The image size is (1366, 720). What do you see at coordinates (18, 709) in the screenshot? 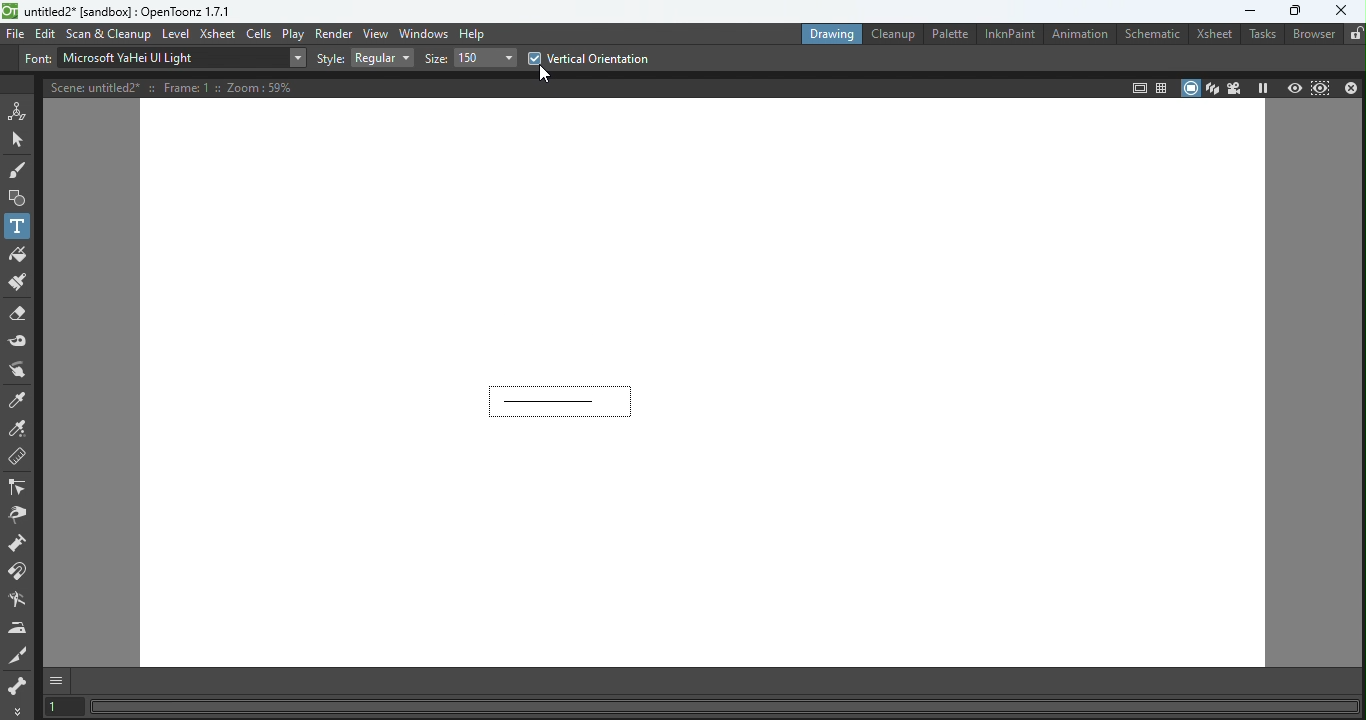
I see `More Tools` at bounding box center [18, 709].